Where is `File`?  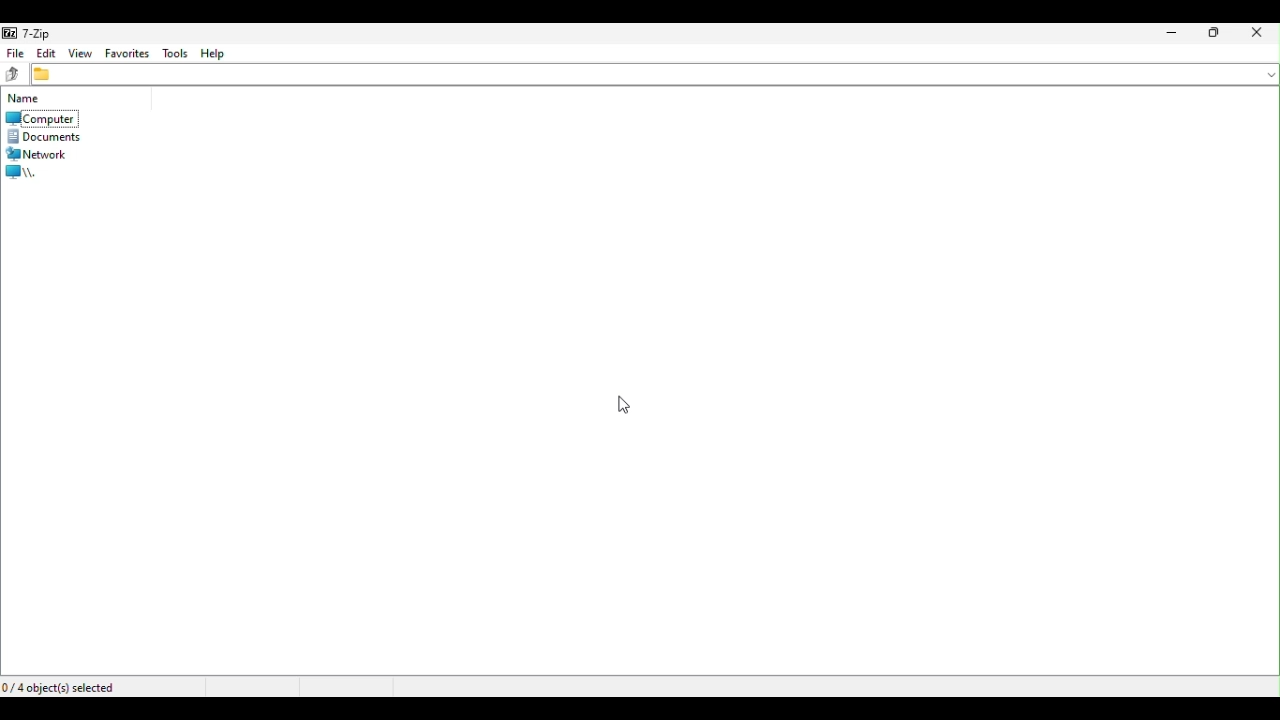 File is located at coordinates (12, 55).